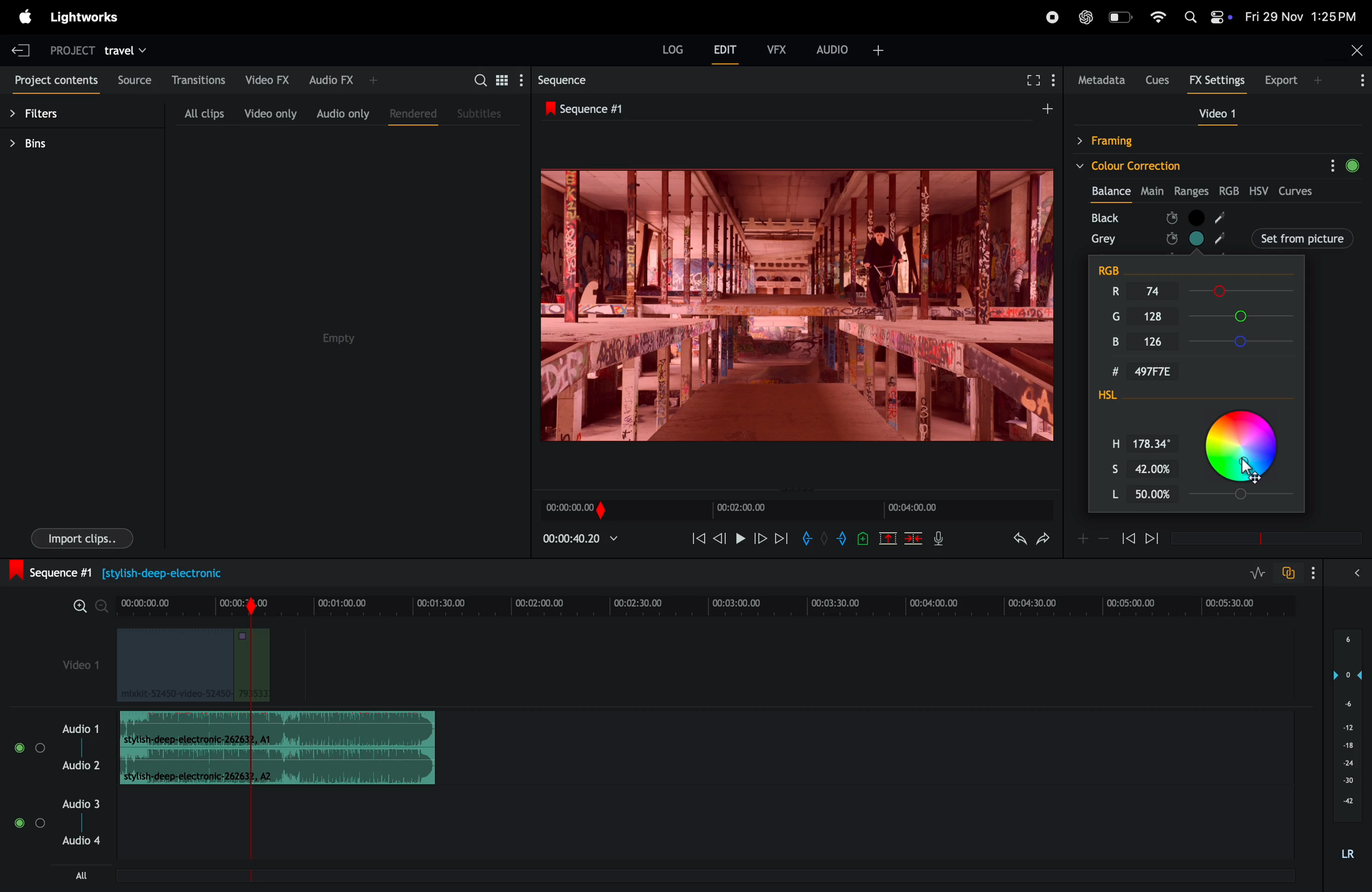  I want to click on spotlight, so click(1194, 17).